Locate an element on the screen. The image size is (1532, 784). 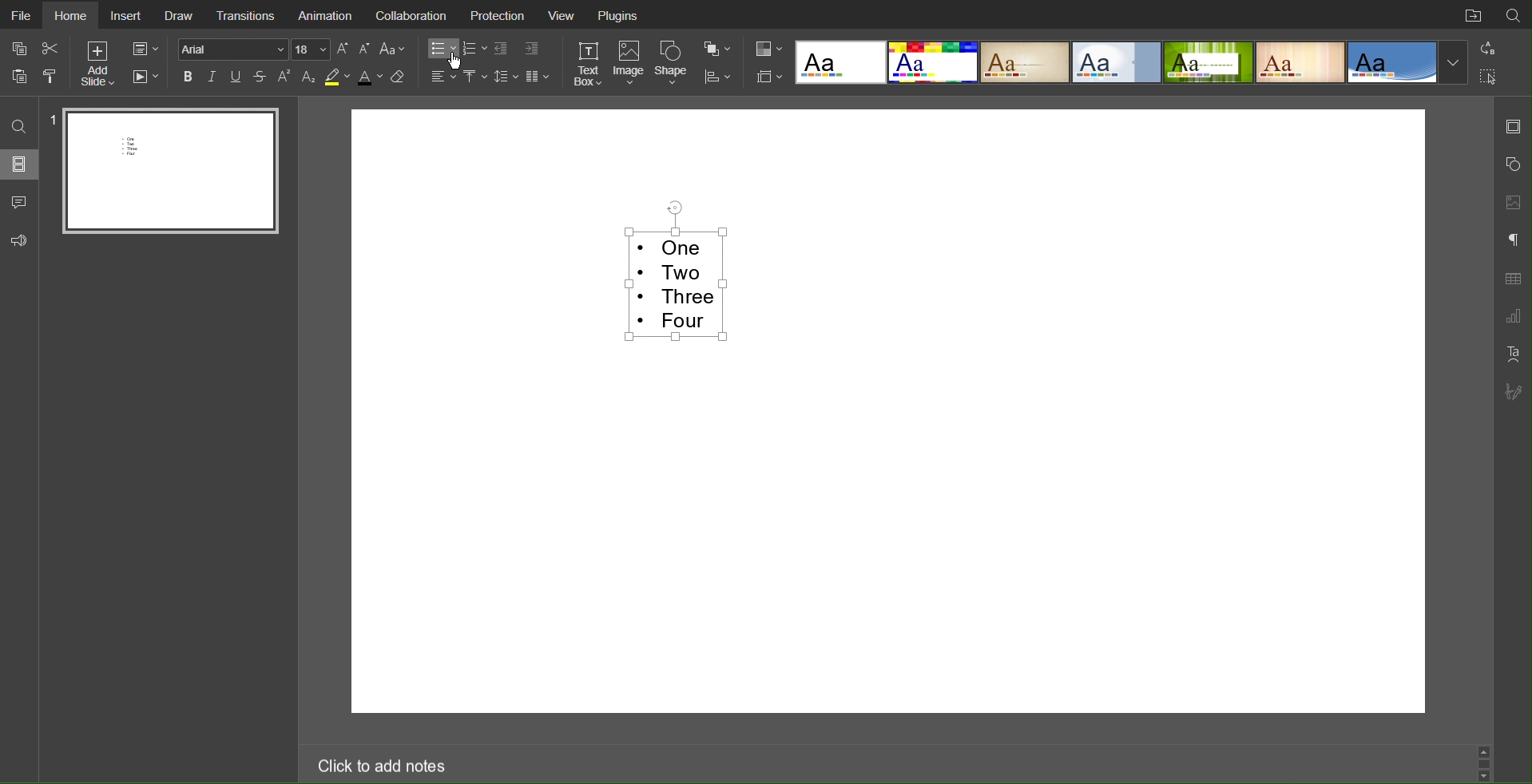
Paragraph Settings is located at coordinates (1512, 240).